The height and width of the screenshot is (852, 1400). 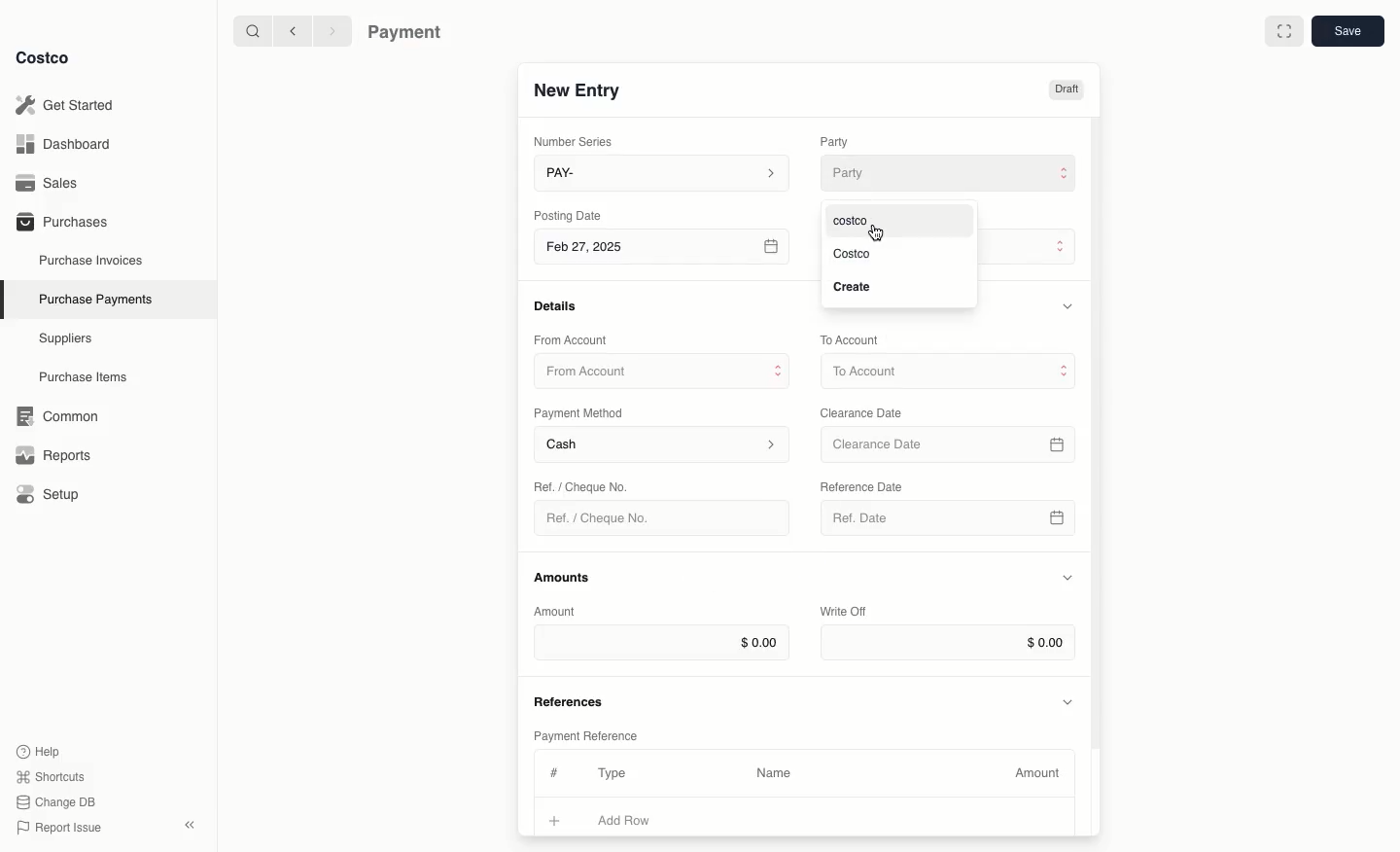 I want to click on Add Row, so click(x=637, y=820).